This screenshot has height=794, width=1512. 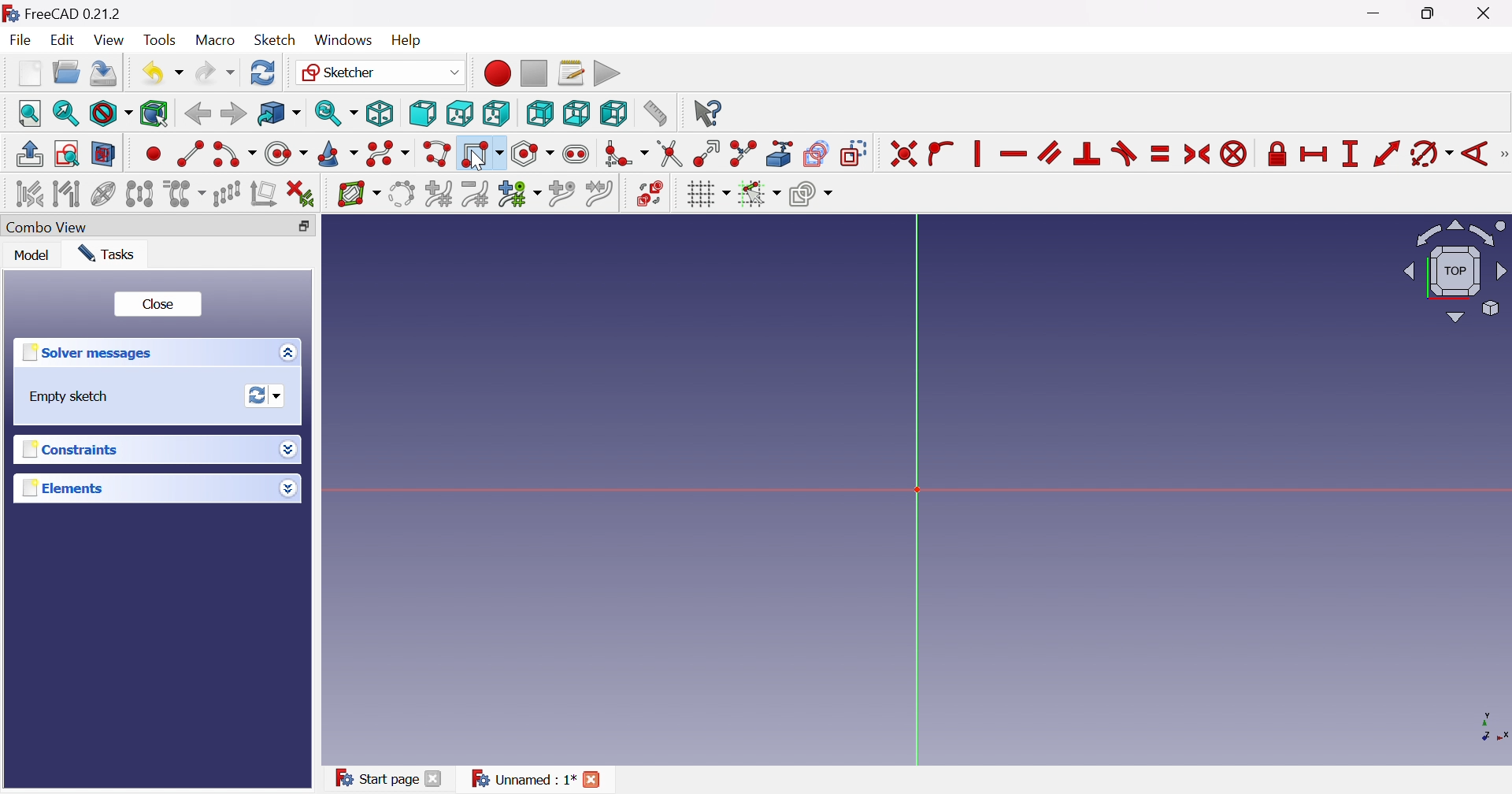 What do you see at coordinates (523, 781) in the screenshot?
I see `Unnamed:1*` at bounding box center [523, 781].